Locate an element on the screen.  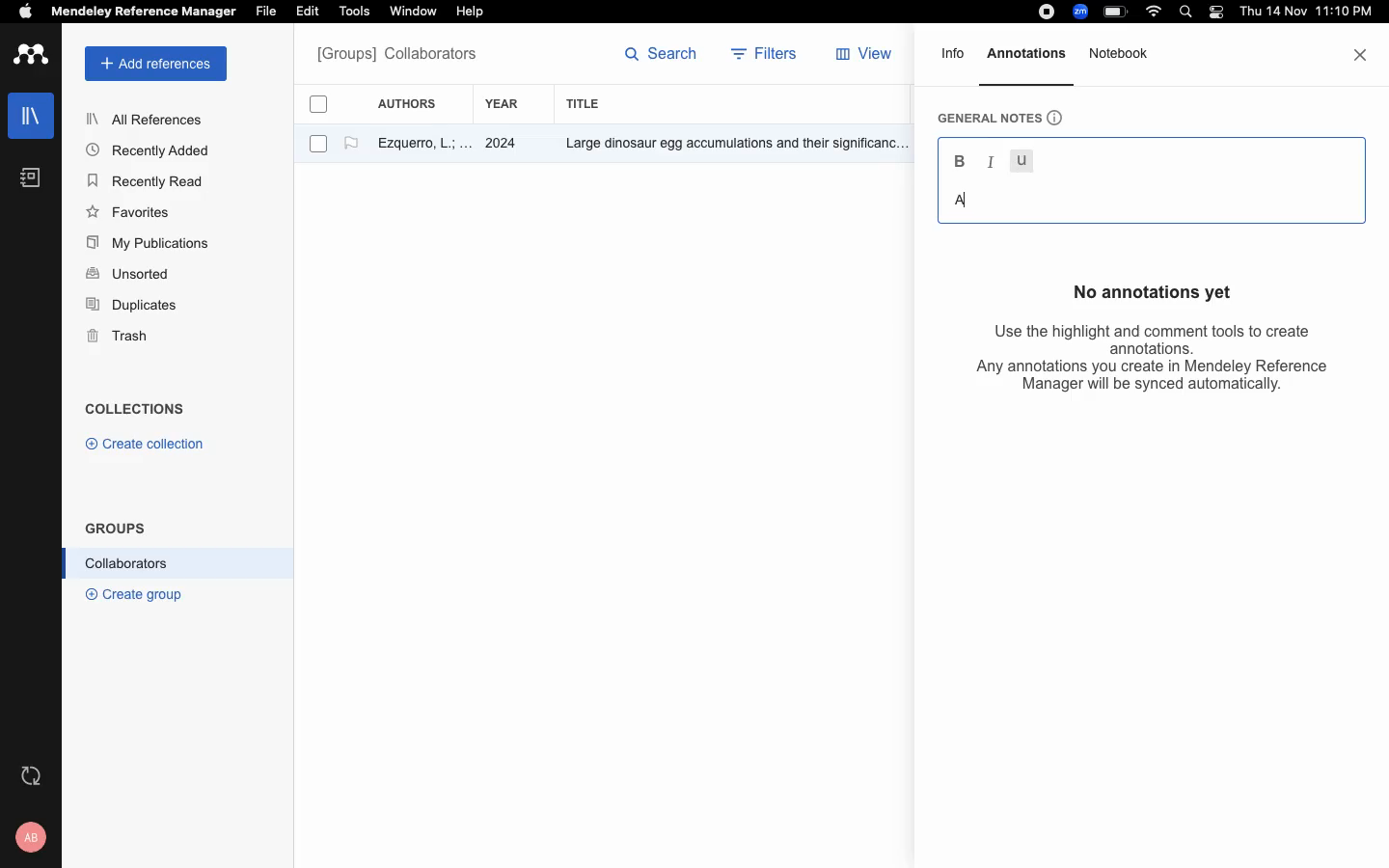
wifi is located at coordinates (1157, 12).